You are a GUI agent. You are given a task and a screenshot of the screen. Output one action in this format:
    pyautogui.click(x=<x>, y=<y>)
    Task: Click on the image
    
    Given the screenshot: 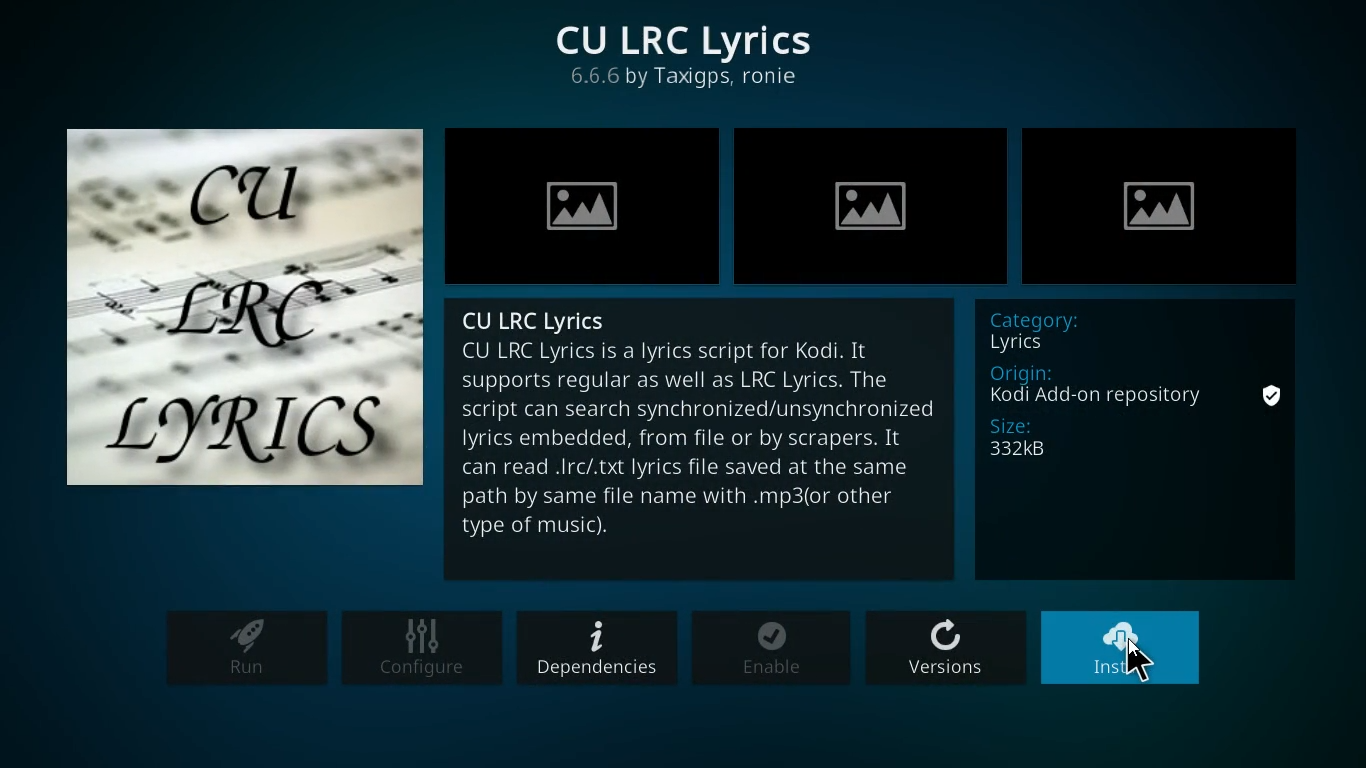 What is the action you would take?
    pyautogui.click(x=582, y=201)
    